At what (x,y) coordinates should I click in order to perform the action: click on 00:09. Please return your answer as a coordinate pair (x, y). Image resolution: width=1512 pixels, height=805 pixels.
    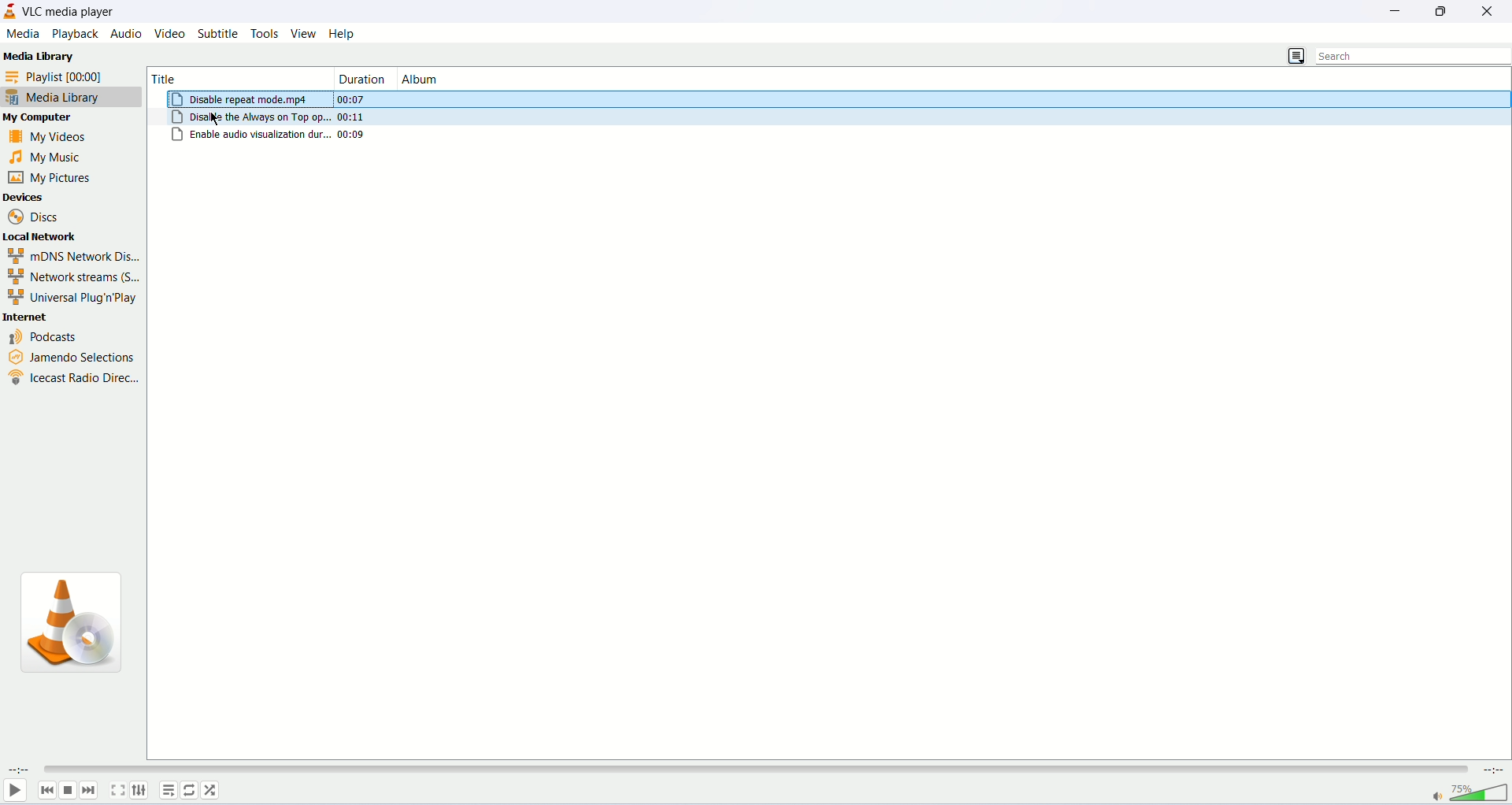
    Looking at the image, I should click on (354, 134).